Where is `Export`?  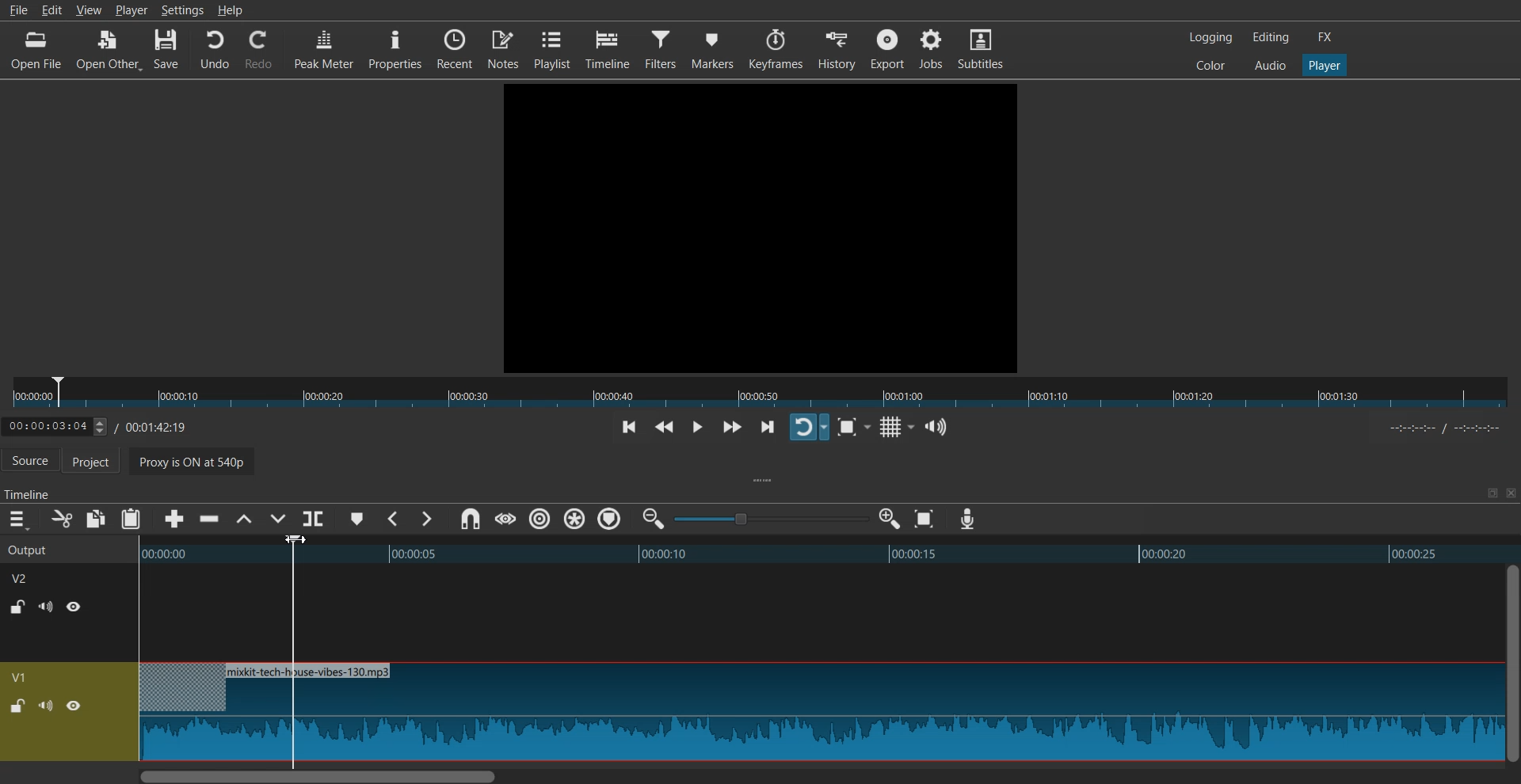 Export is located at coordinates (887, 48).